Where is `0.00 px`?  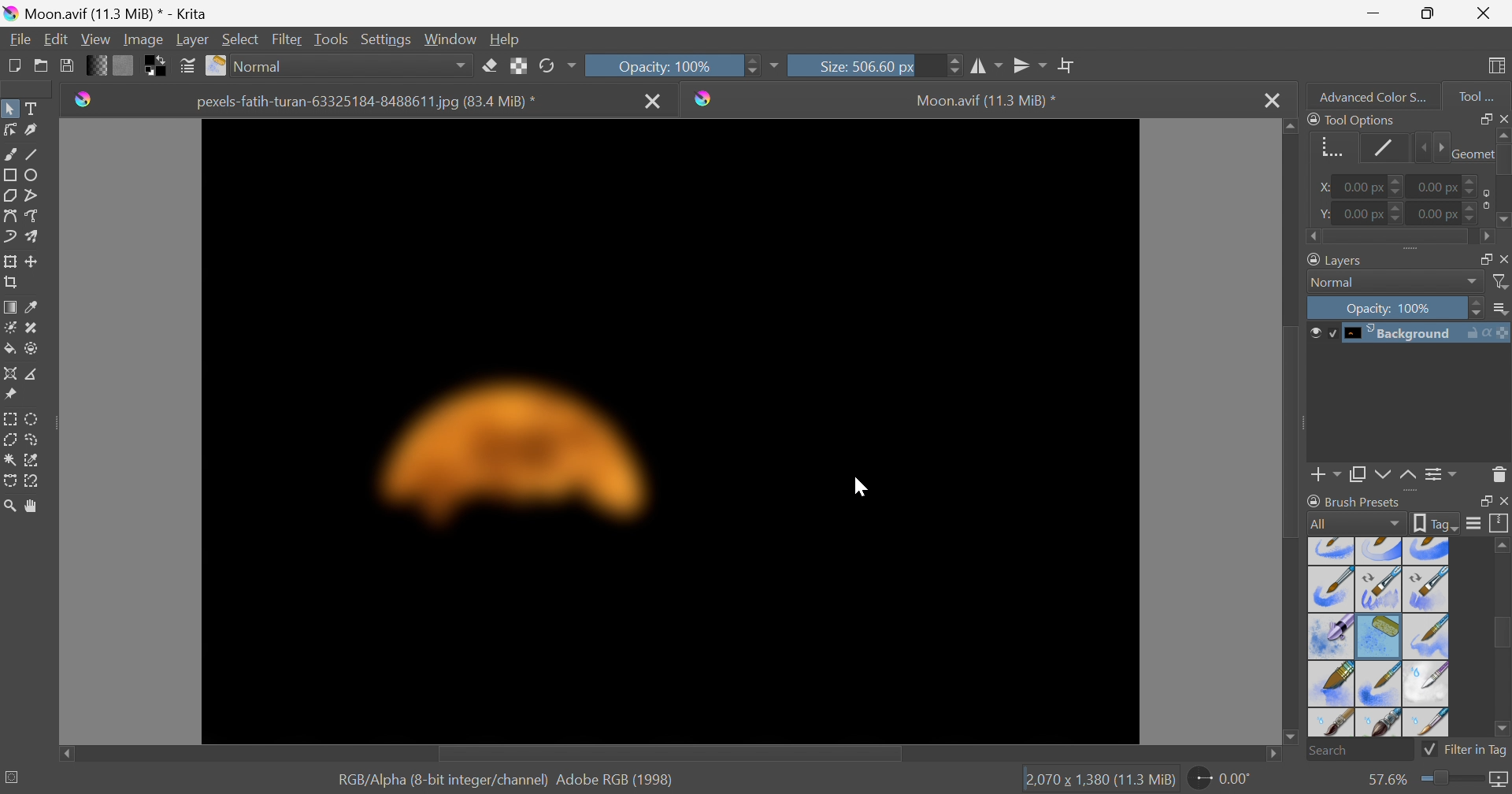
0.00 px is located at coordinates (1368, 213).